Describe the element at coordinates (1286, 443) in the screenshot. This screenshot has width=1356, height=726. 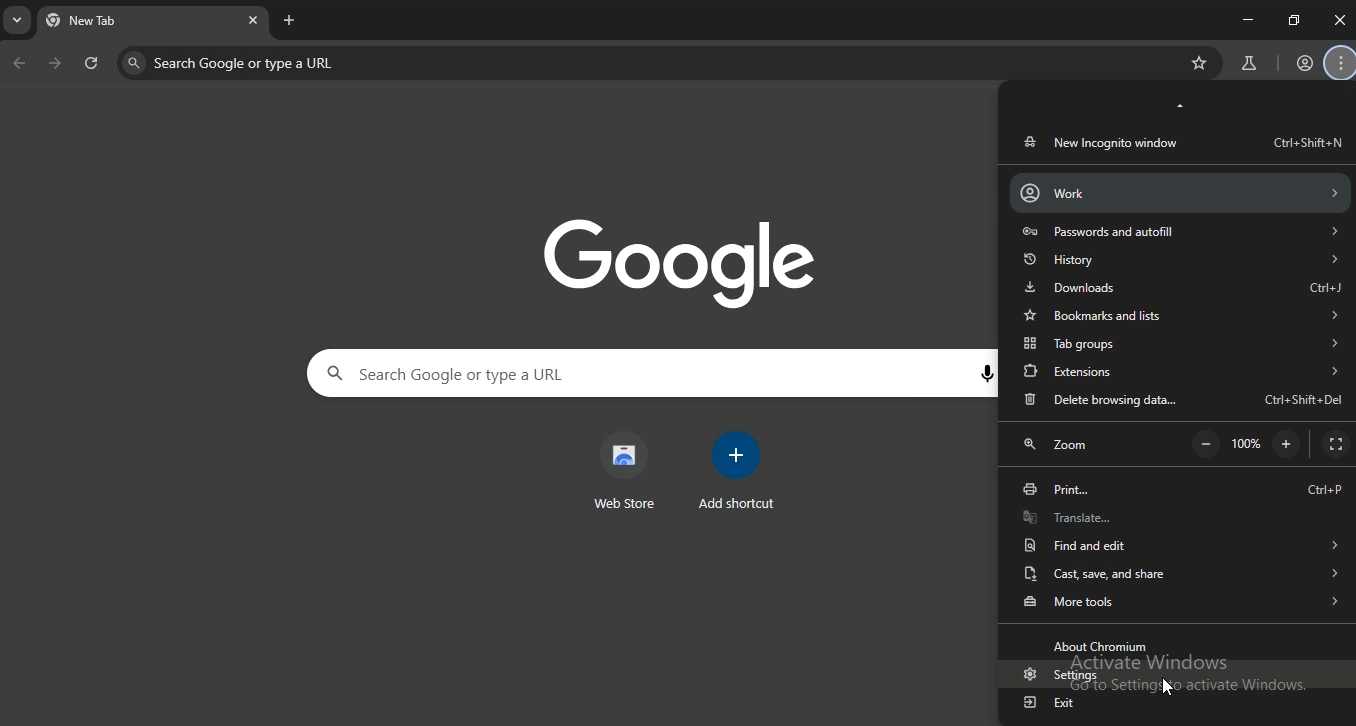
I see `zoom out` at that location.